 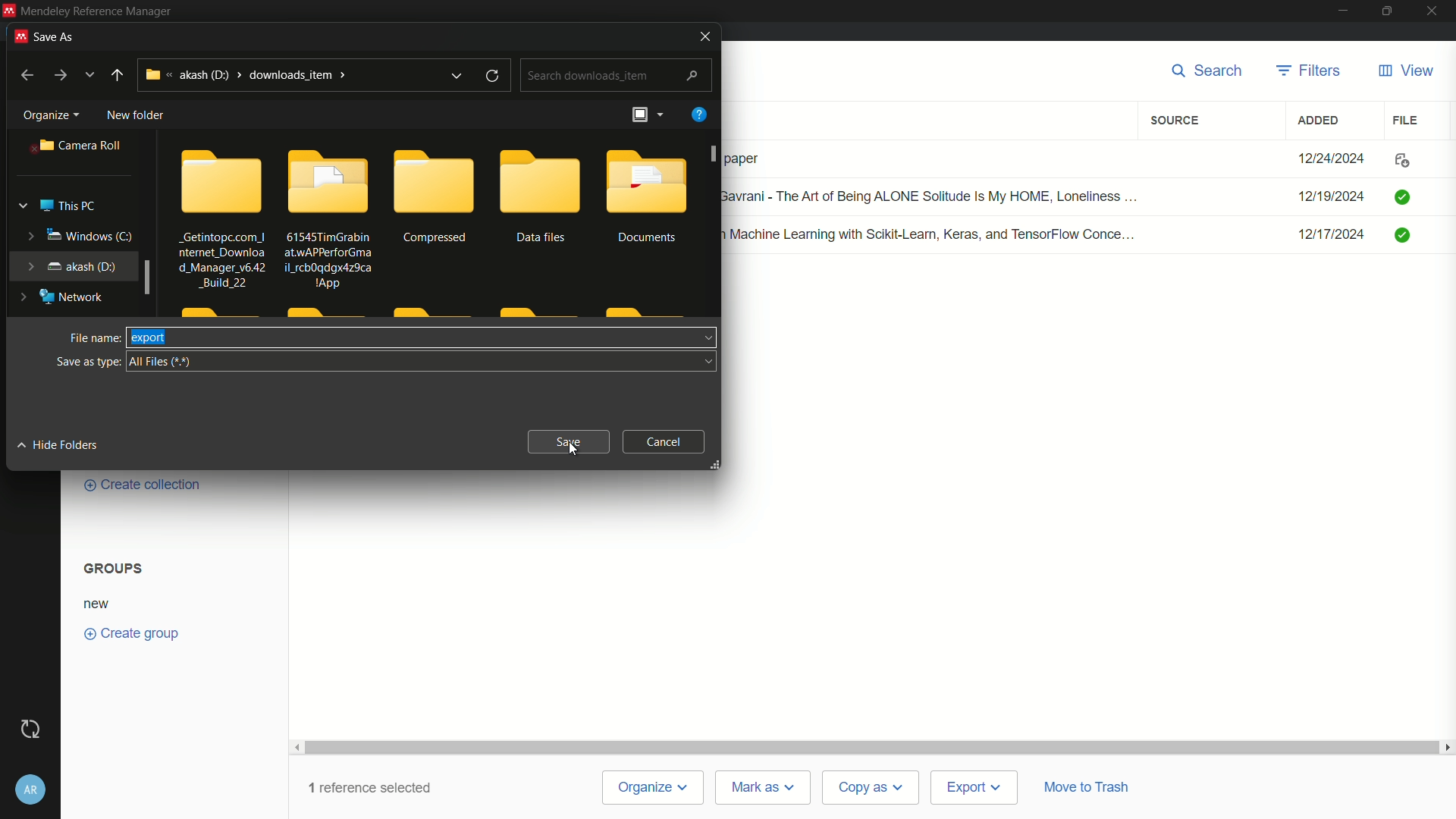 What do you see at coordinates (86, 362) in the screenshot?
I see `save as type` at bounding box center [86, 362].